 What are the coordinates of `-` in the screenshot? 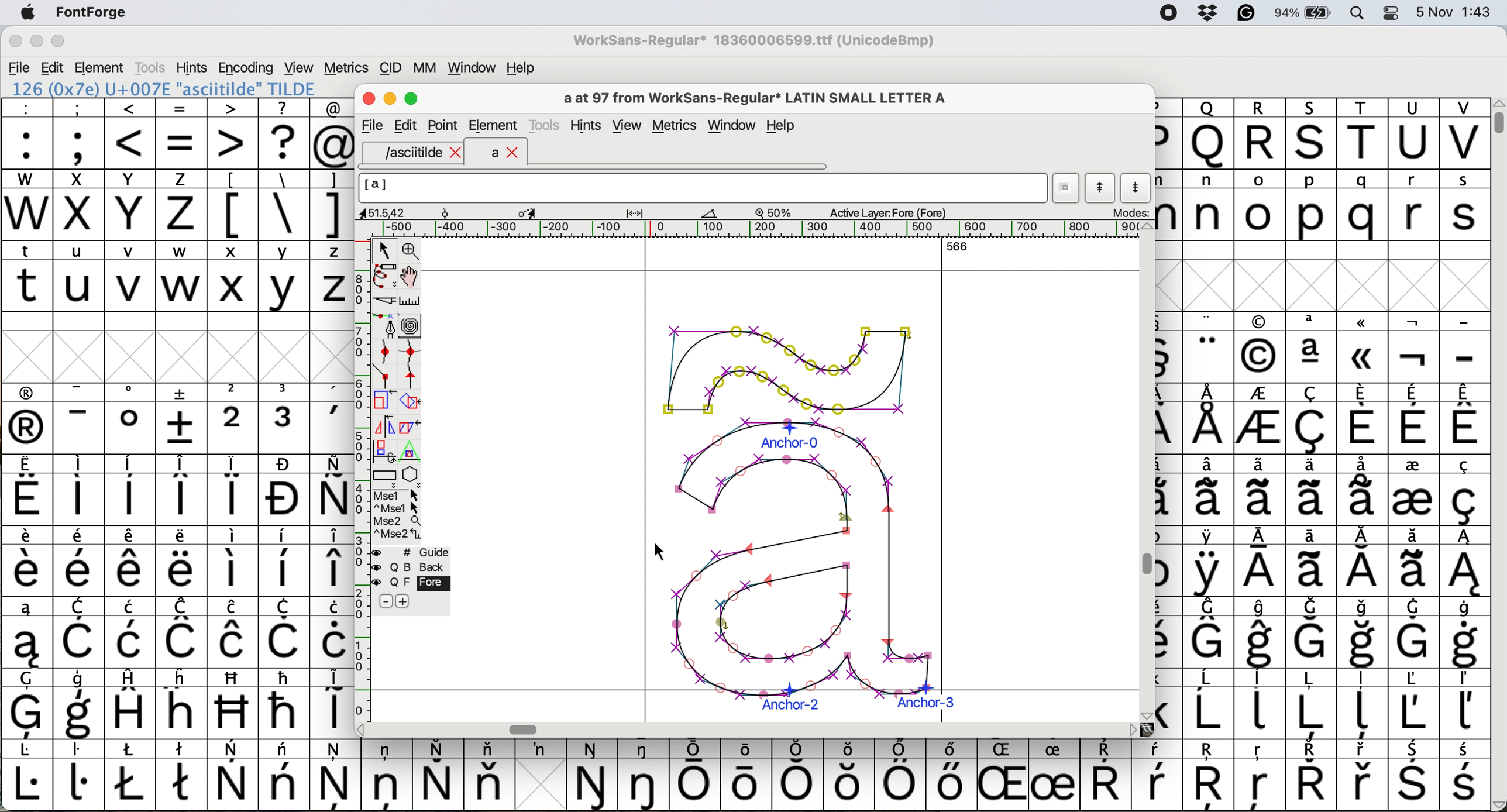 It's located at (1465, 349).